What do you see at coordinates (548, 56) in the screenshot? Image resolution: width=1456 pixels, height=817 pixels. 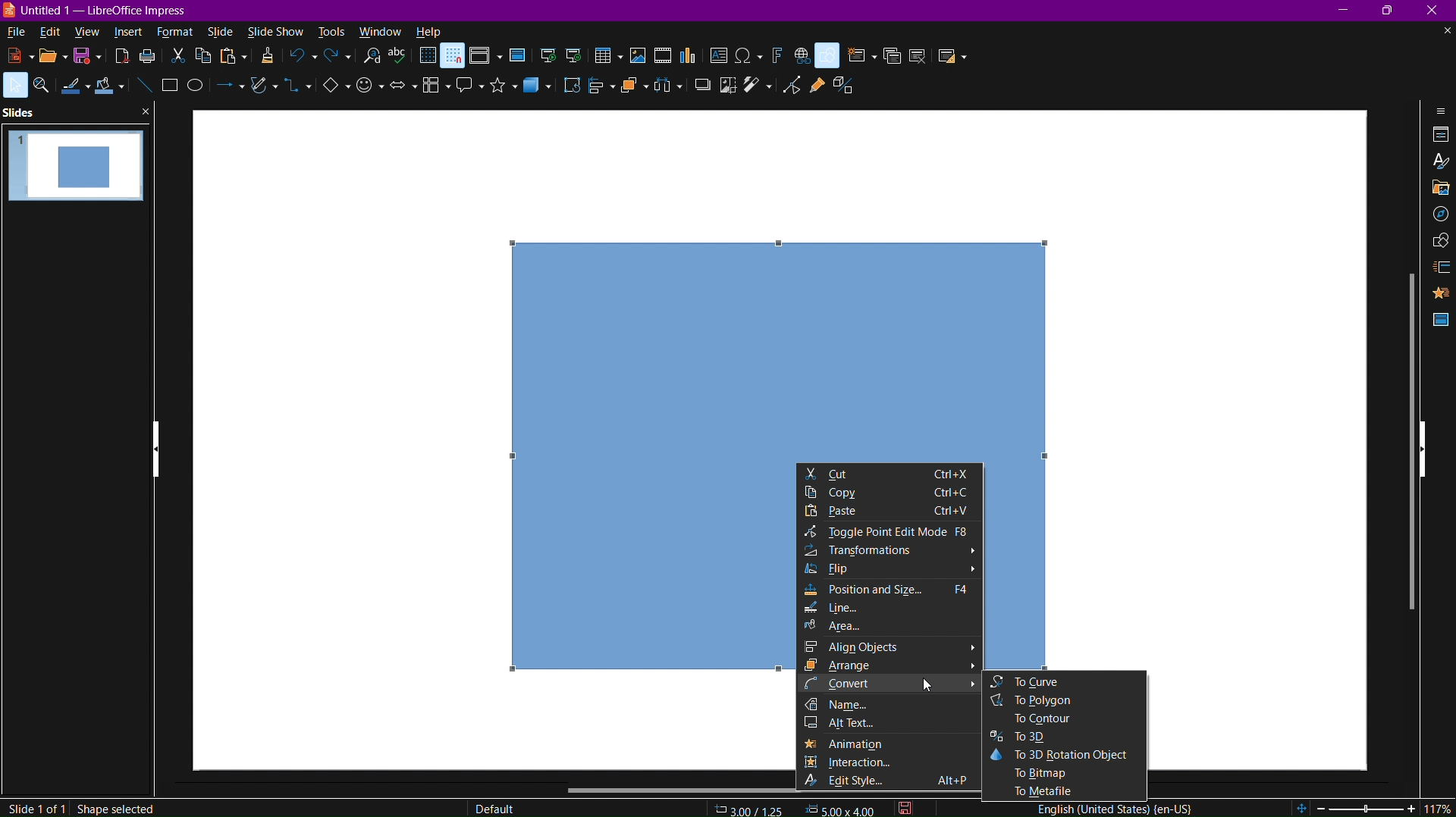 I see `Start from First Slide` at bounding box center [548, 56].